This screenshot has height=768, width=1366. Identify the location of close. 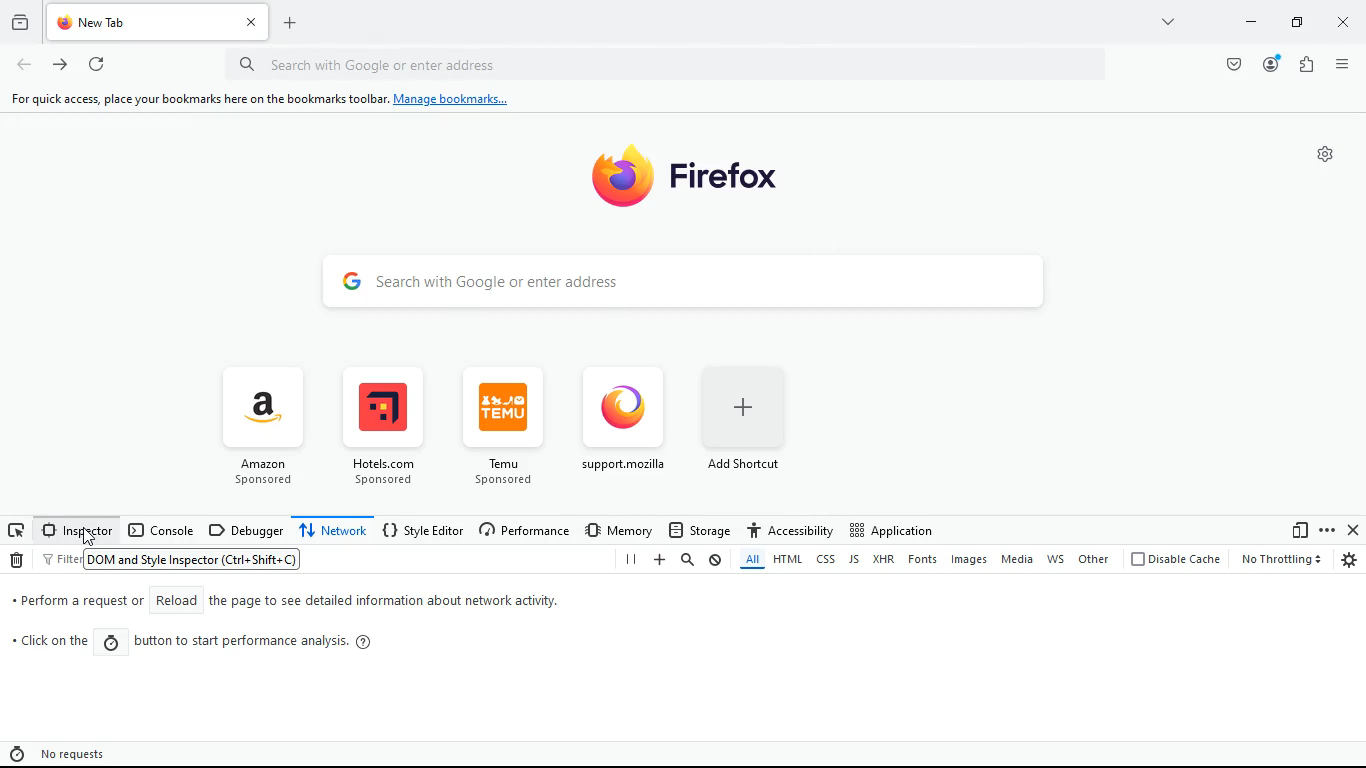
(1355, 530).